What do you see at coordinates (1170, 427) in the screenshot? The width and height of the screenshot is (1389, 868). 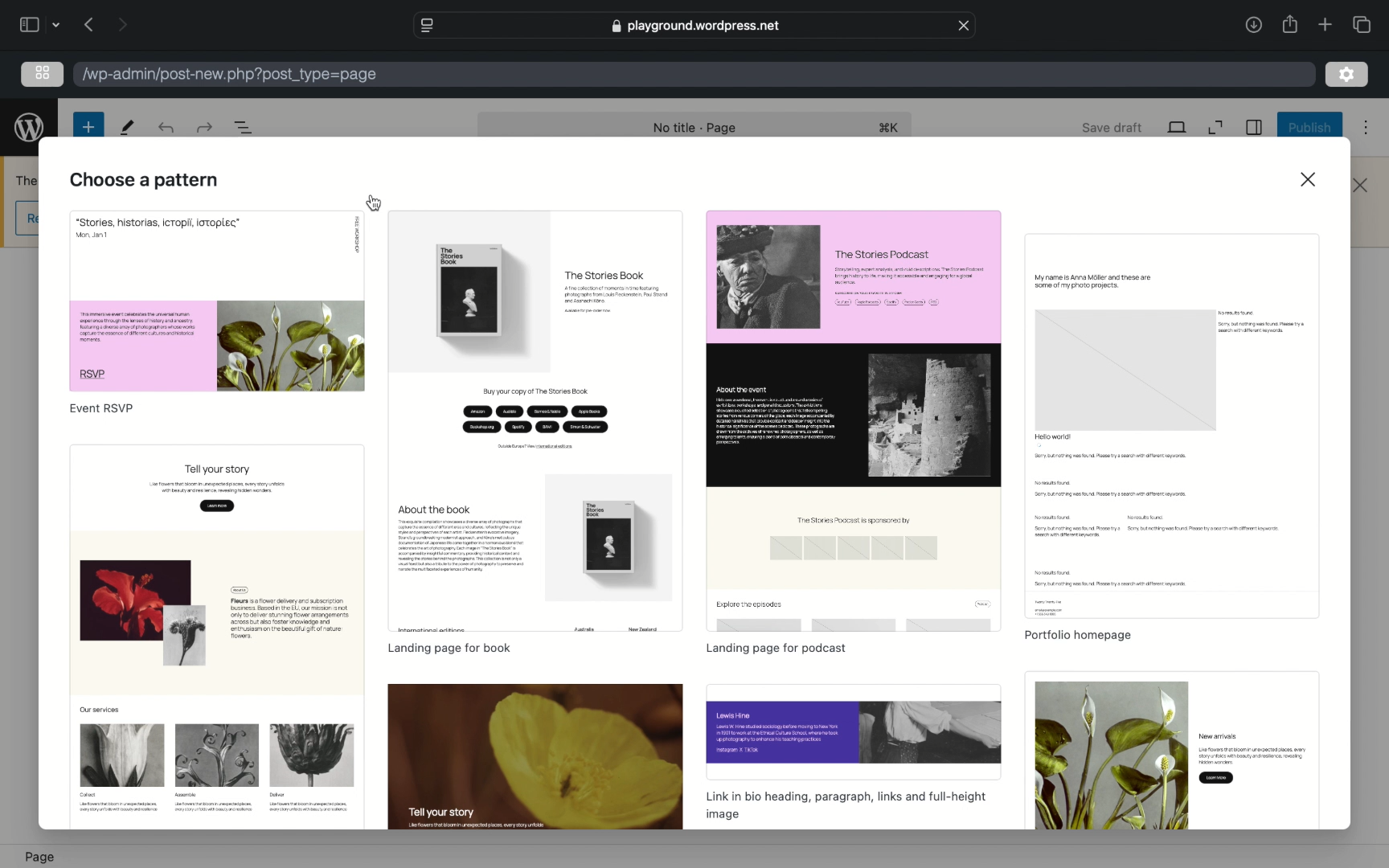 I see `preview` at bounding box center [1170, 427].